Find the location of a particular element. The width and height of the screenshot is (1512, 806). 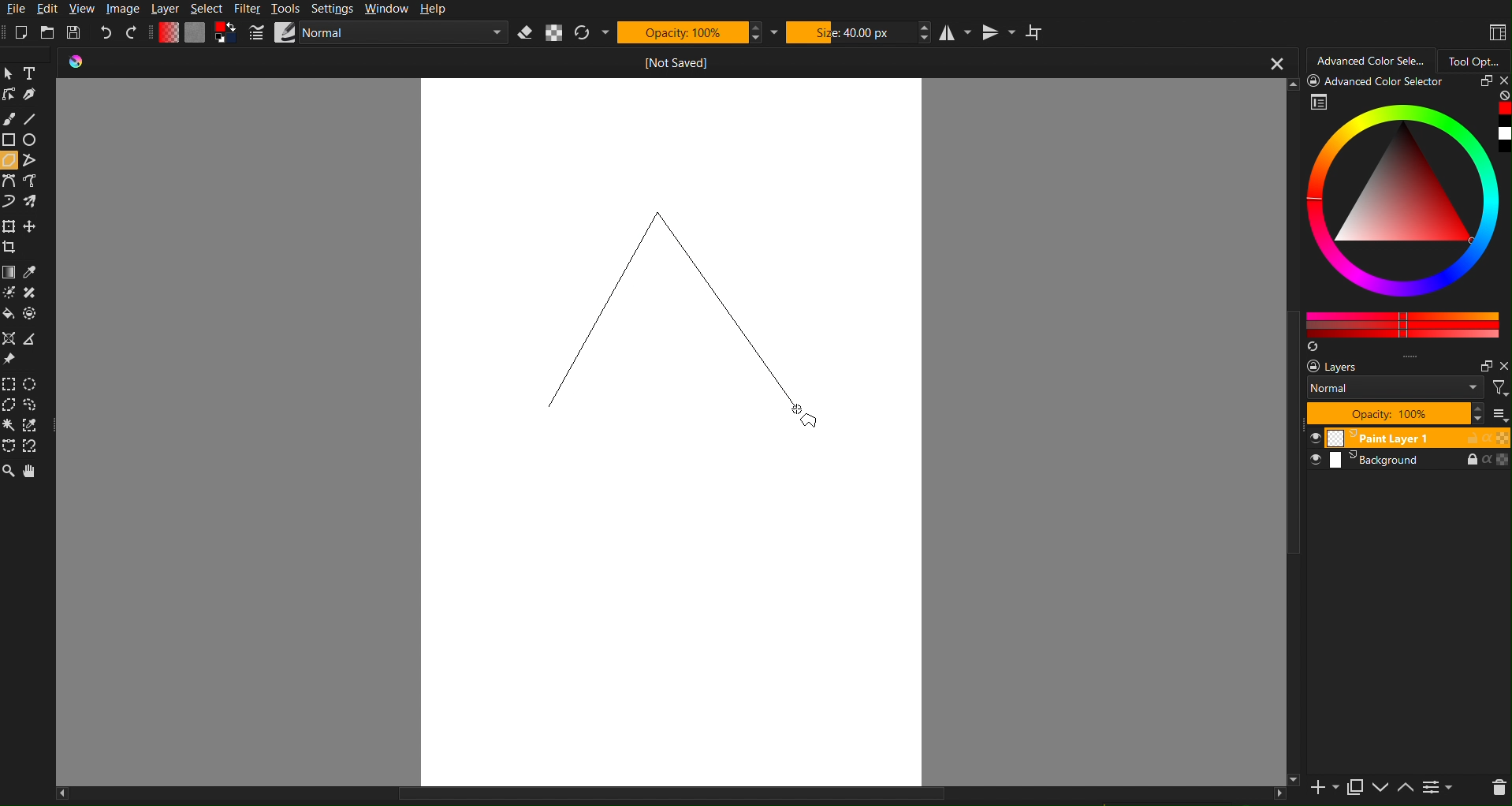

draw a gradient is located at coordinates (9, 272).